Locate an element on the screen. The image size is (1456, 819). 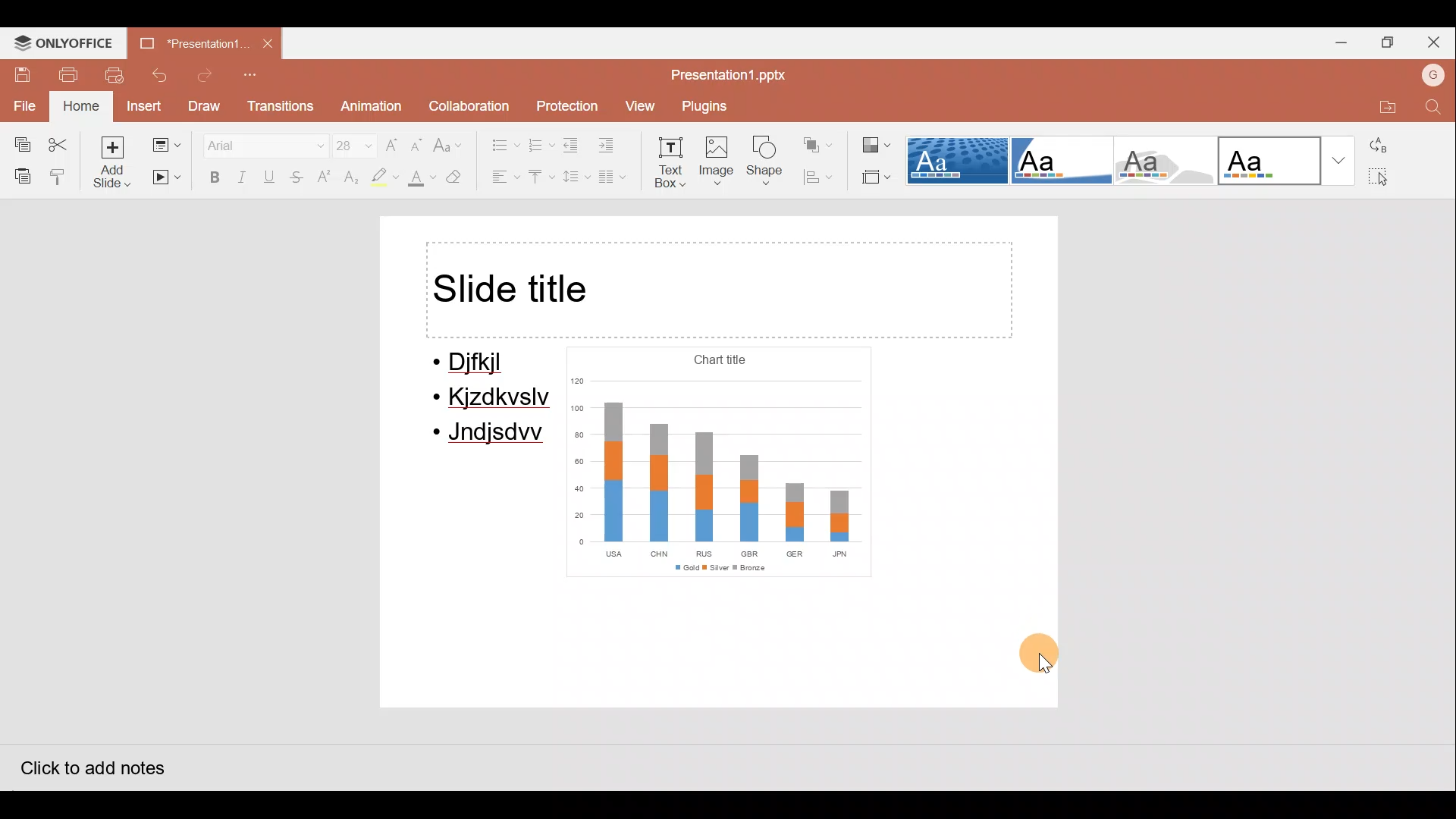
Clear style is located at coordinates (461, 179).